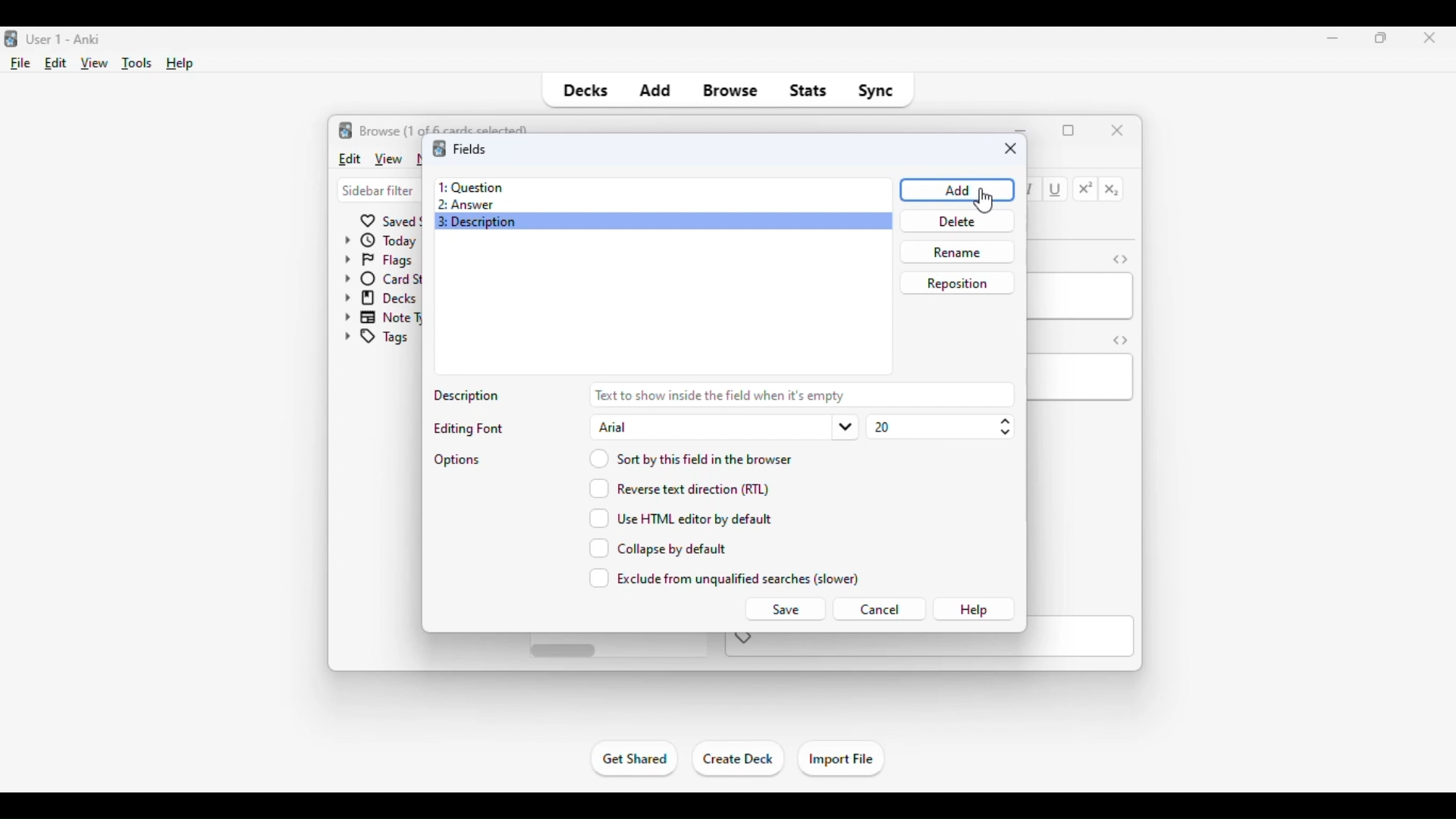  What do you see at coordinates (138, 64) in the screenshot?
I see `tools` at bounding box center [138, 64].